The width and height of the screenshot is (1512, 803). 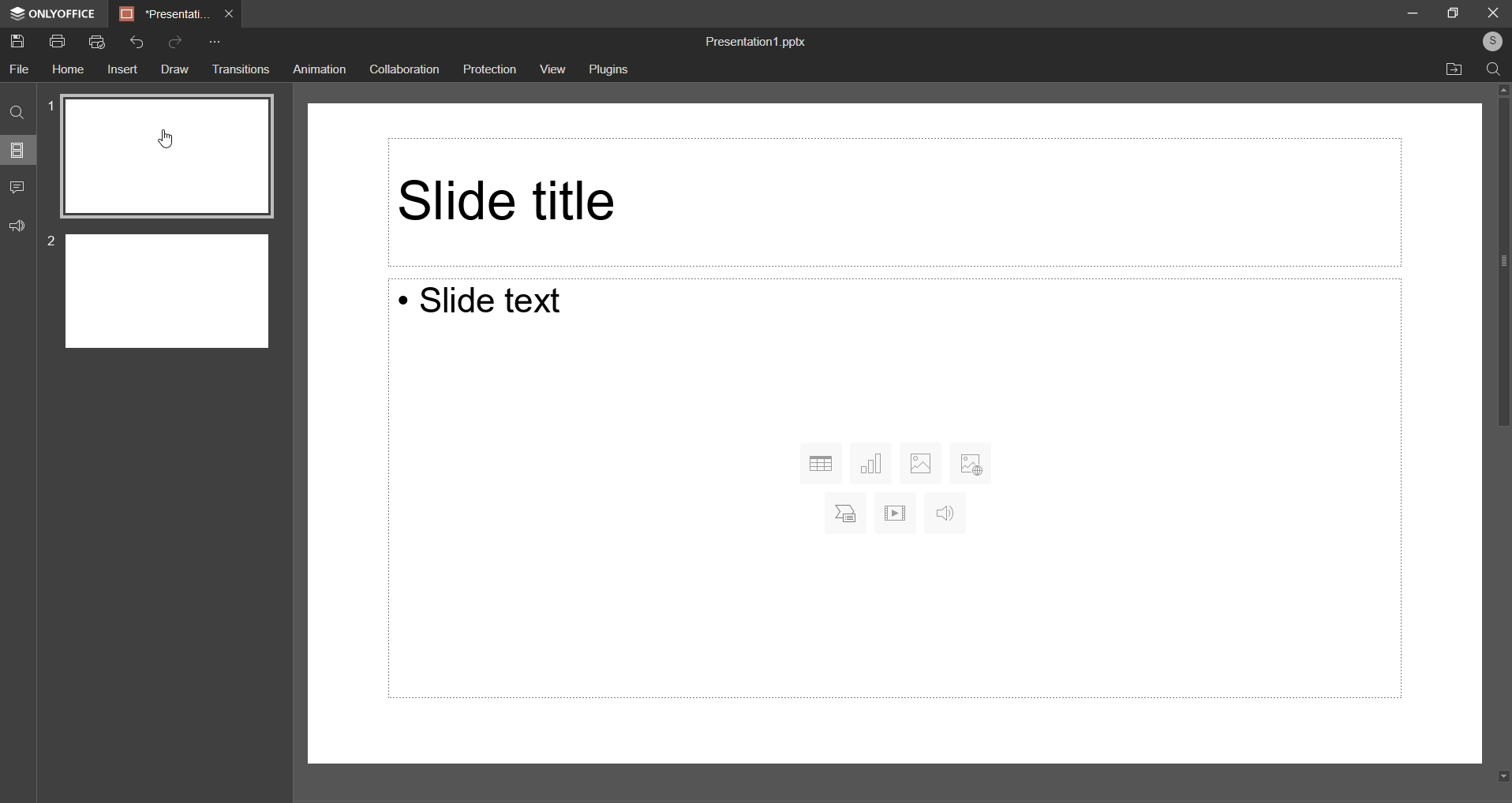 I want to click on Video, so click(x=895, y=513).